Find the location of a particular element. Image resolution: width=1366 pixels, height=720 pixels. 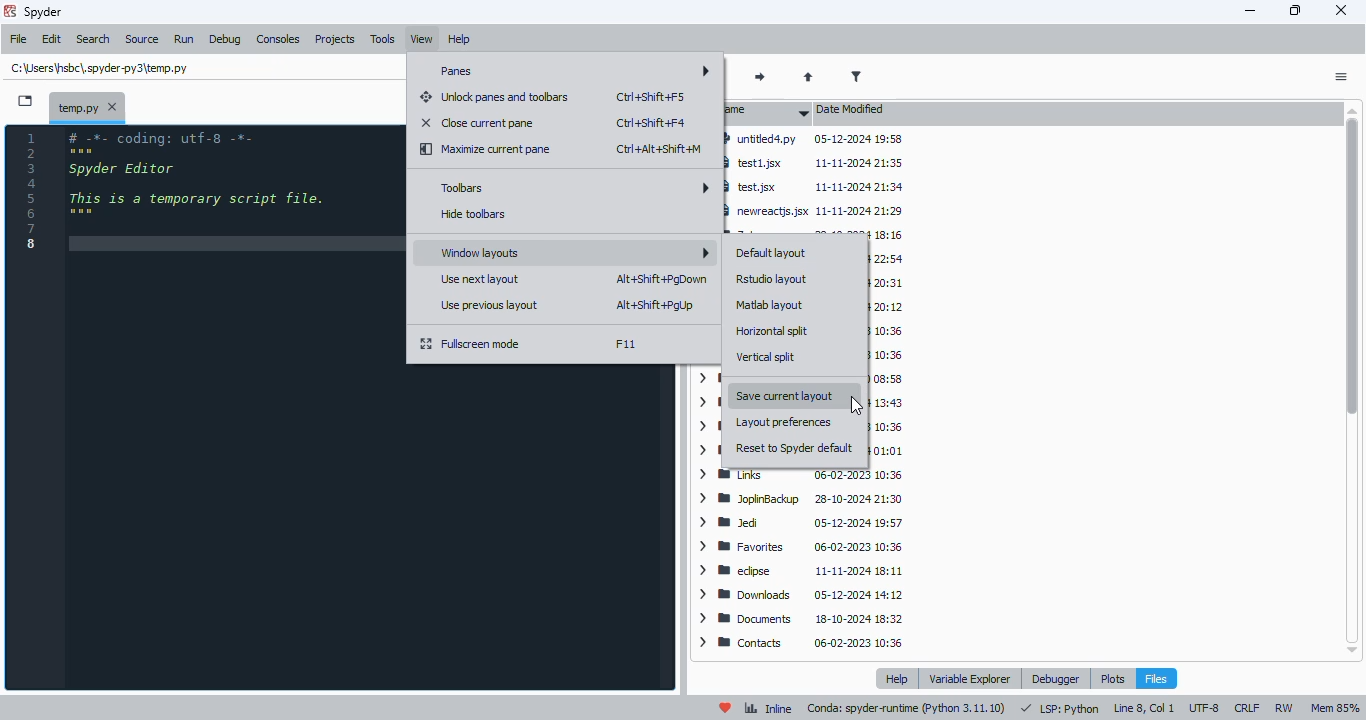

help is located at coordinates (461, 39).